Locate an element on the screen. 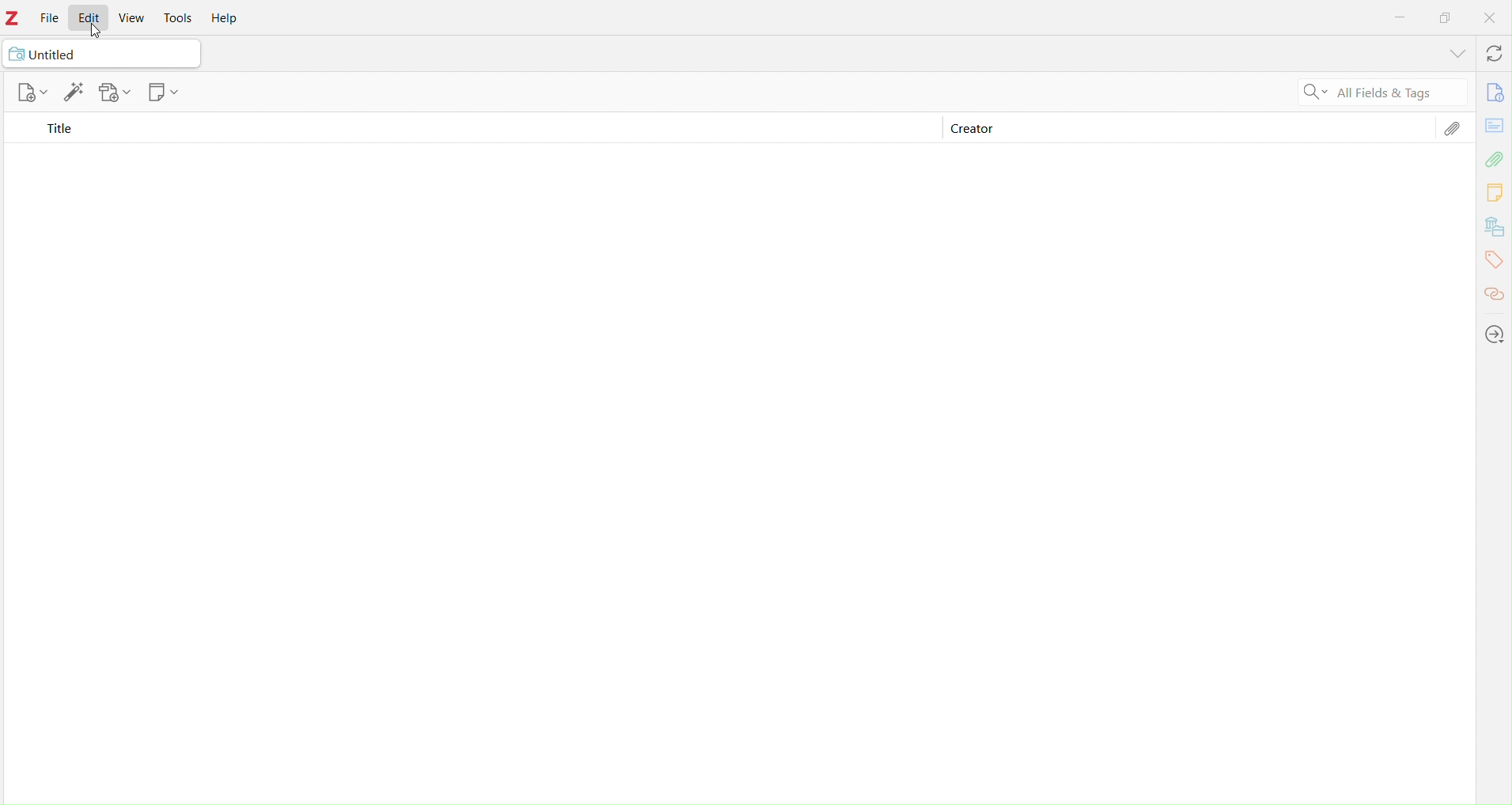 This screenshot has width=1512, height=805. Cursor is located at coordinates (96, 28).